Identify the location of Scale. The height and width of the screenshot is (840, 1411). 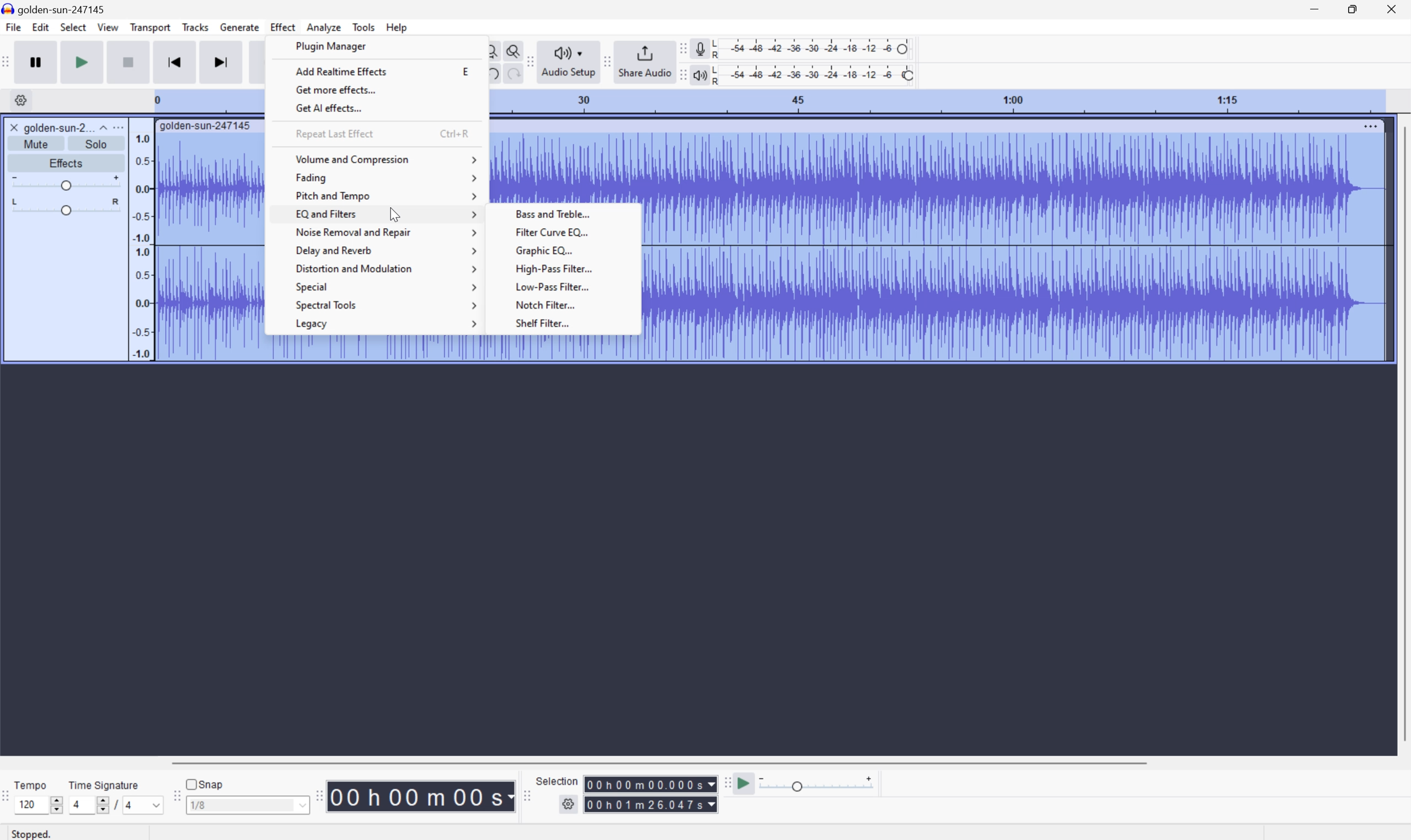
(936, 100).